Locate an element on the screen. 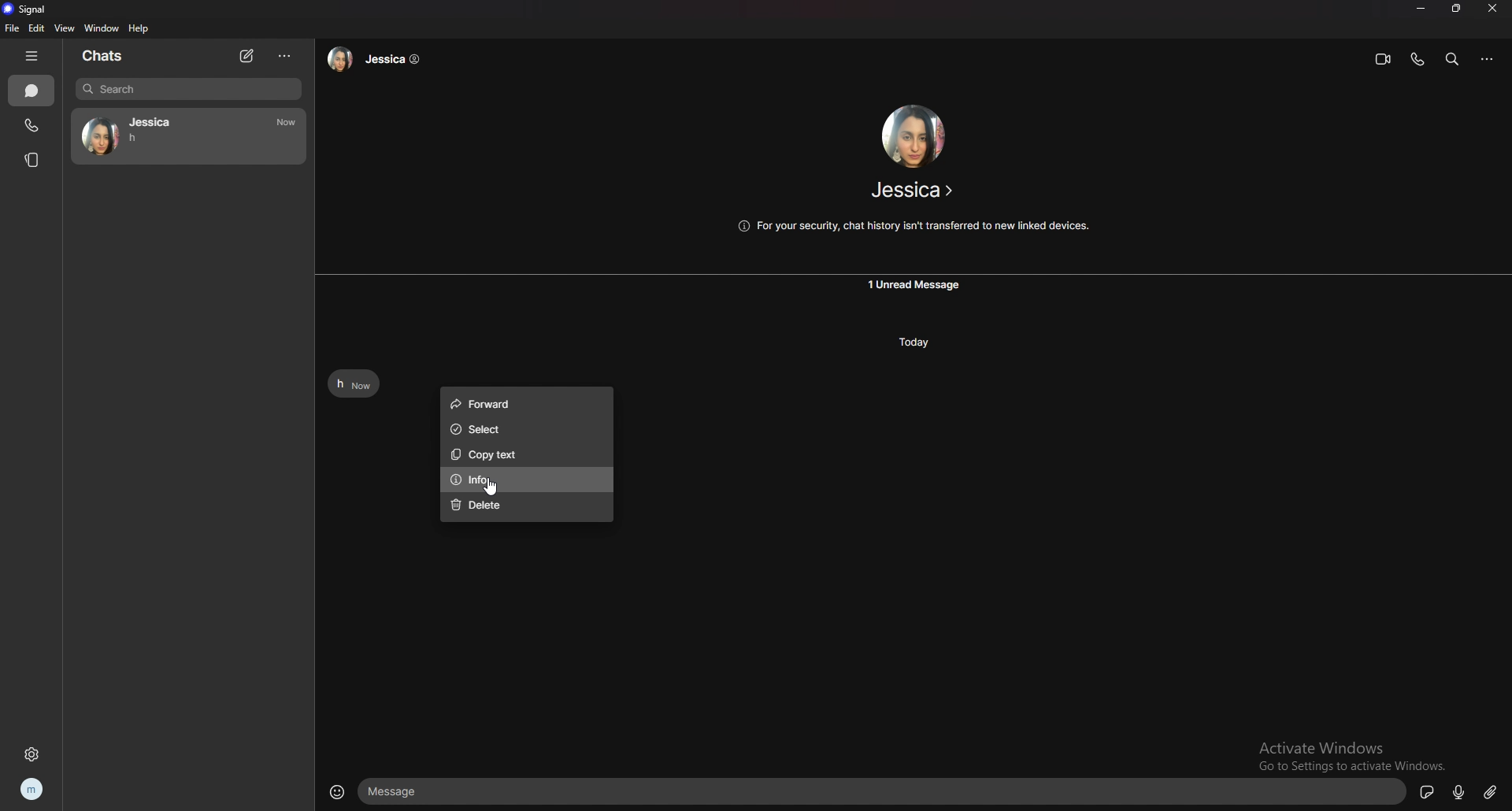  delete is located at coordinates (524, 505).